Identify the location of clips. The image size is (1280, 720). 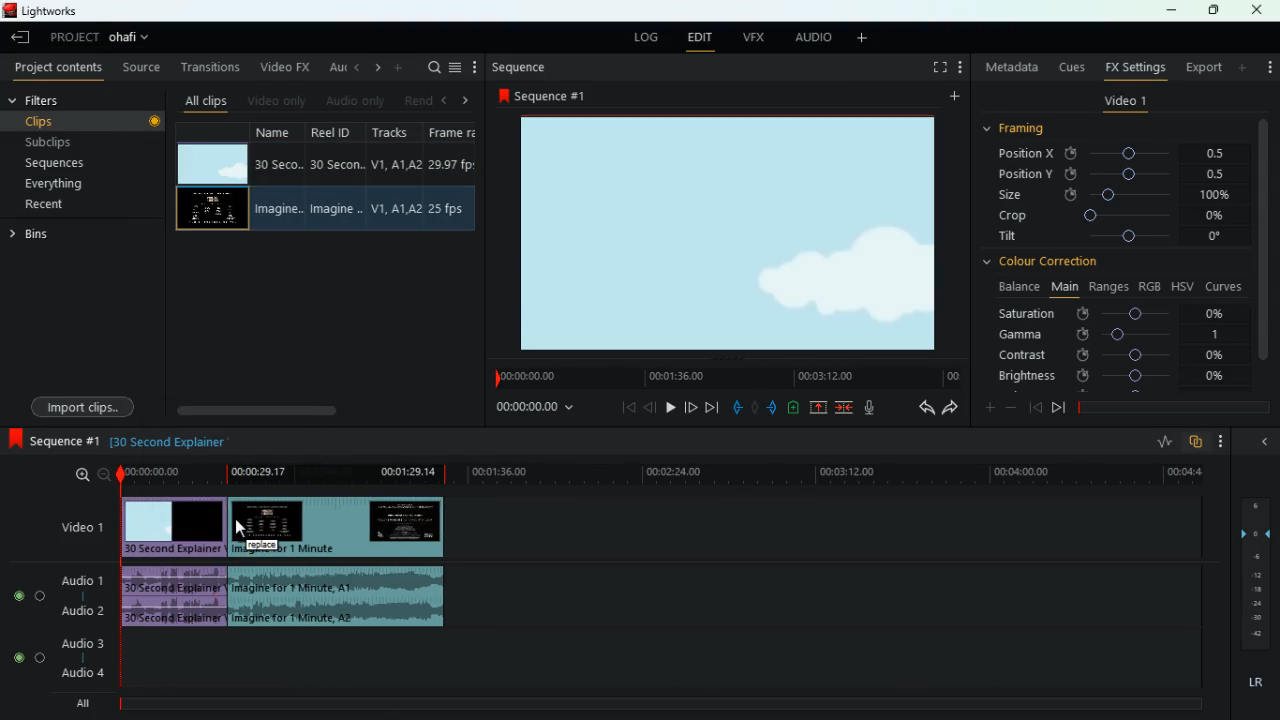
(87, 120).